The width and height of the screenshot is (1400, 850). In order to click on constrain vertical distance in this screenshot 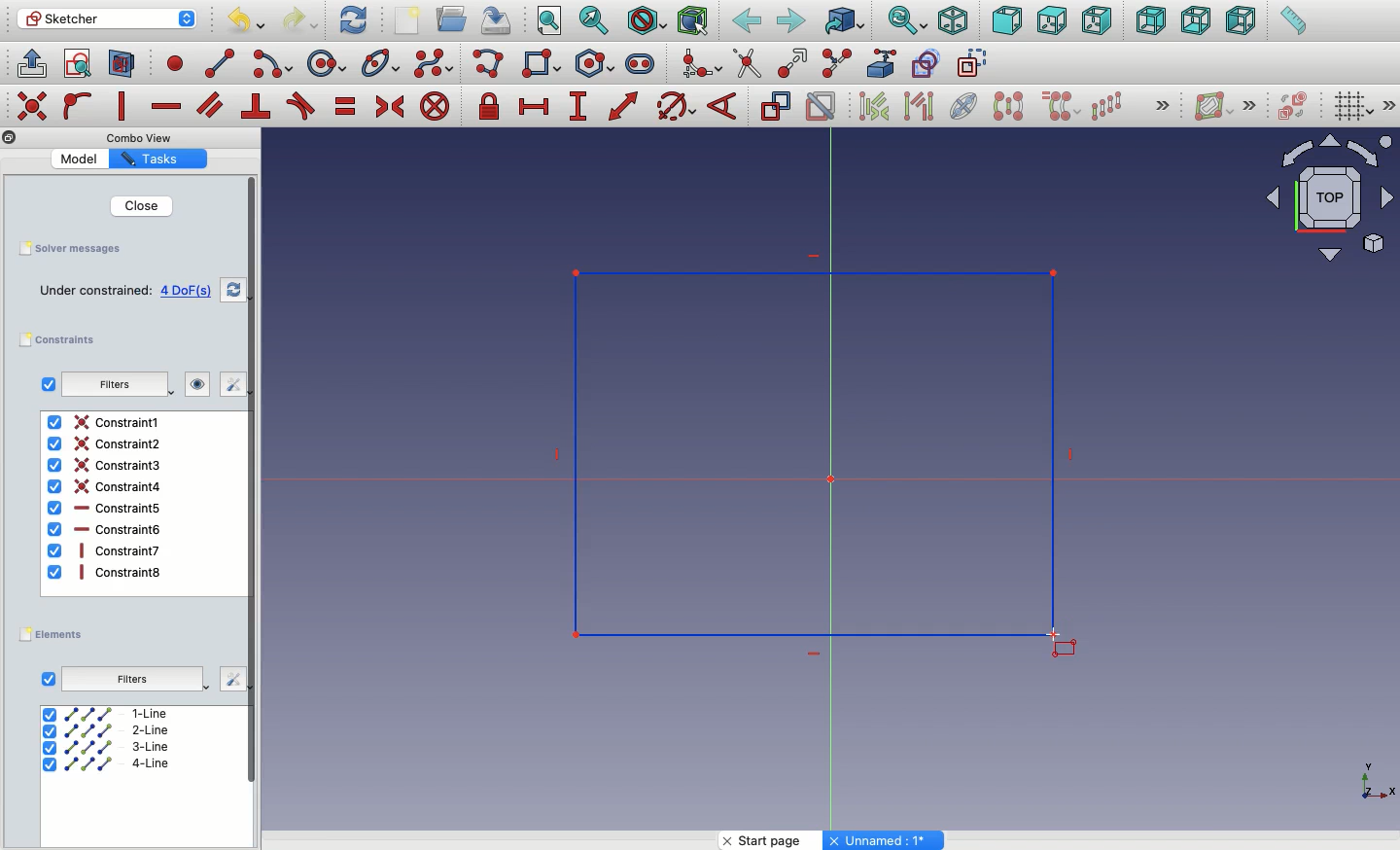, I will do `click(581, 108)`.